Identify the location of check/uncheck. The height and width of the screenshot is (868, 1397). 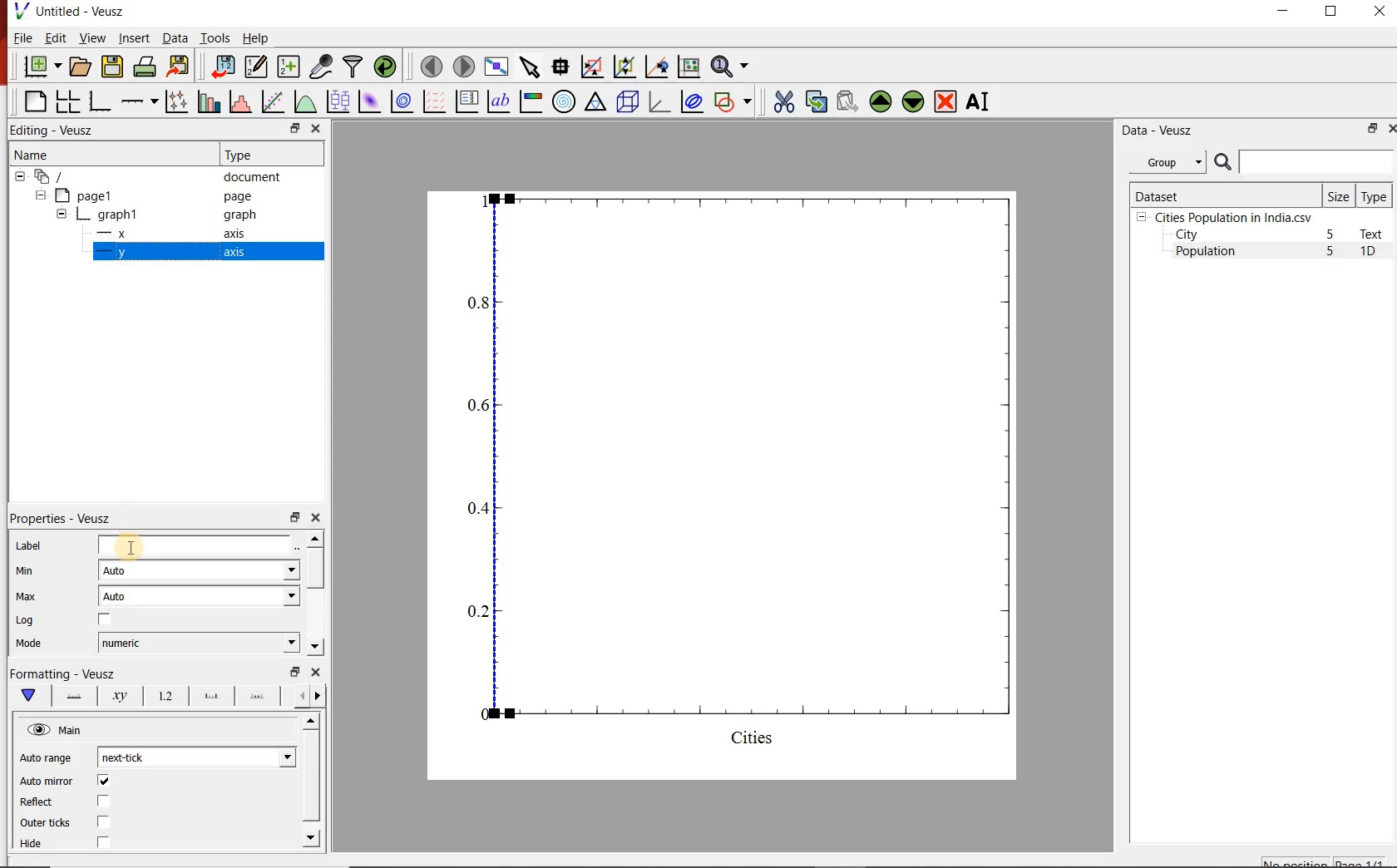
(102, 845).